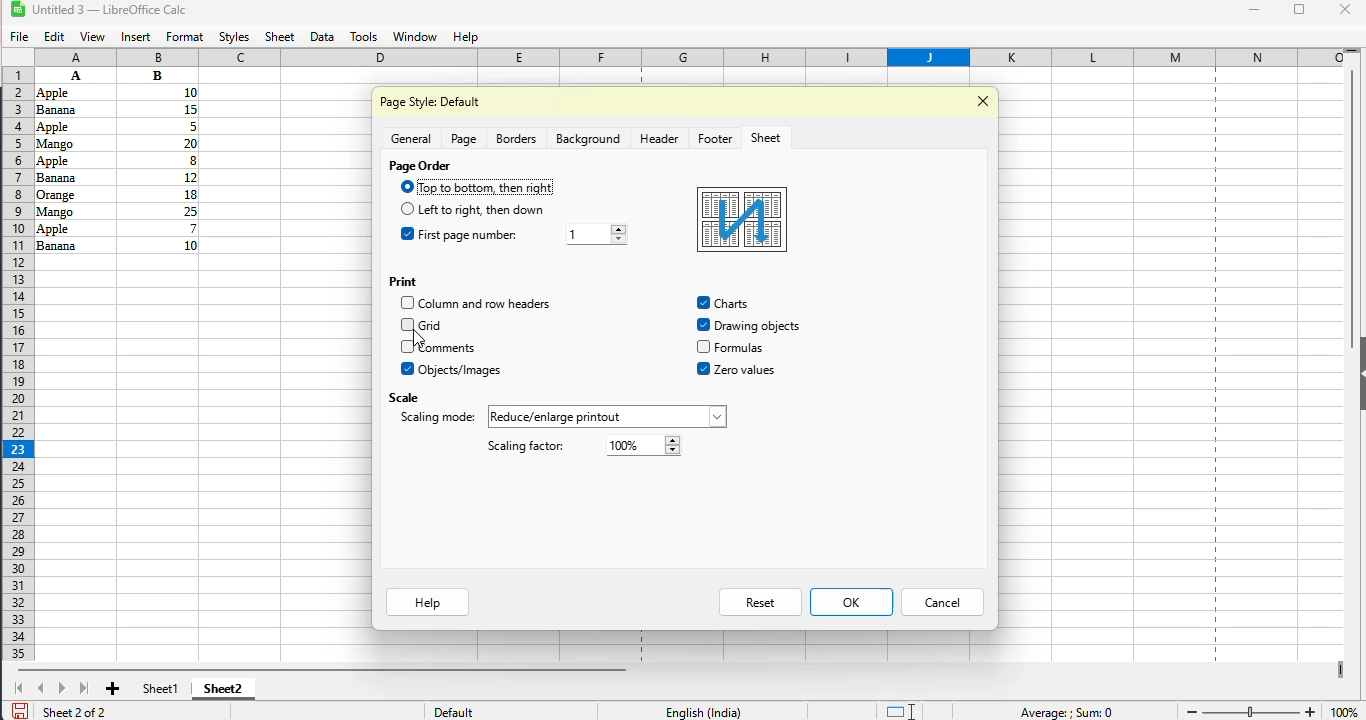 The height and width of the screenshot is (720, 1366). What do you see at coordinates (599, 234) in the screenshot?
I see `` at bounding box center [599, 234].